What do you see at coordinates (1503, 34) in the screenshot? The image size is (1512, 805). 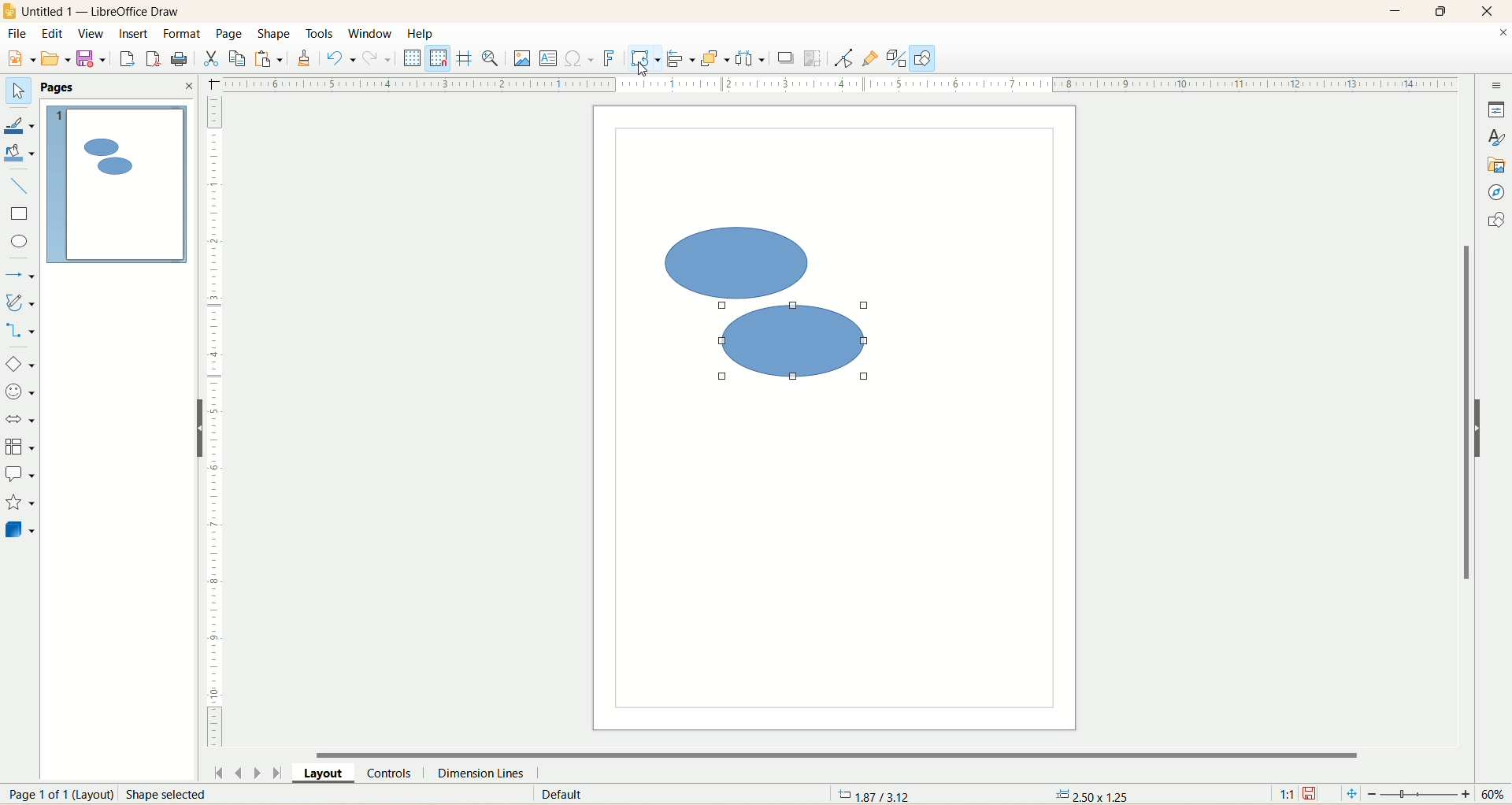 I see `close documents` at bounding box center [1503, 34].